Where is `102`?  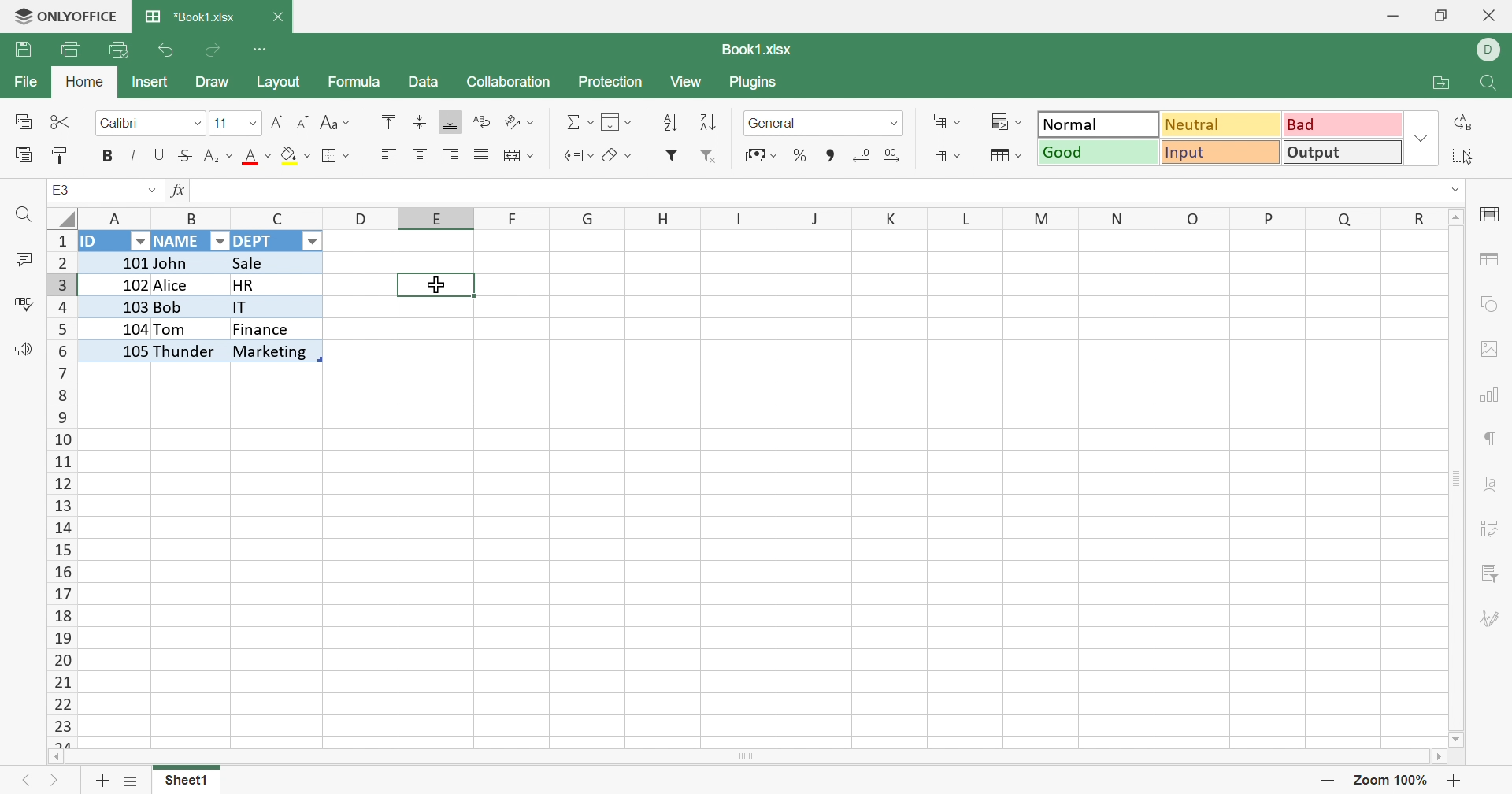 102 is located at coordinates (120, 283).